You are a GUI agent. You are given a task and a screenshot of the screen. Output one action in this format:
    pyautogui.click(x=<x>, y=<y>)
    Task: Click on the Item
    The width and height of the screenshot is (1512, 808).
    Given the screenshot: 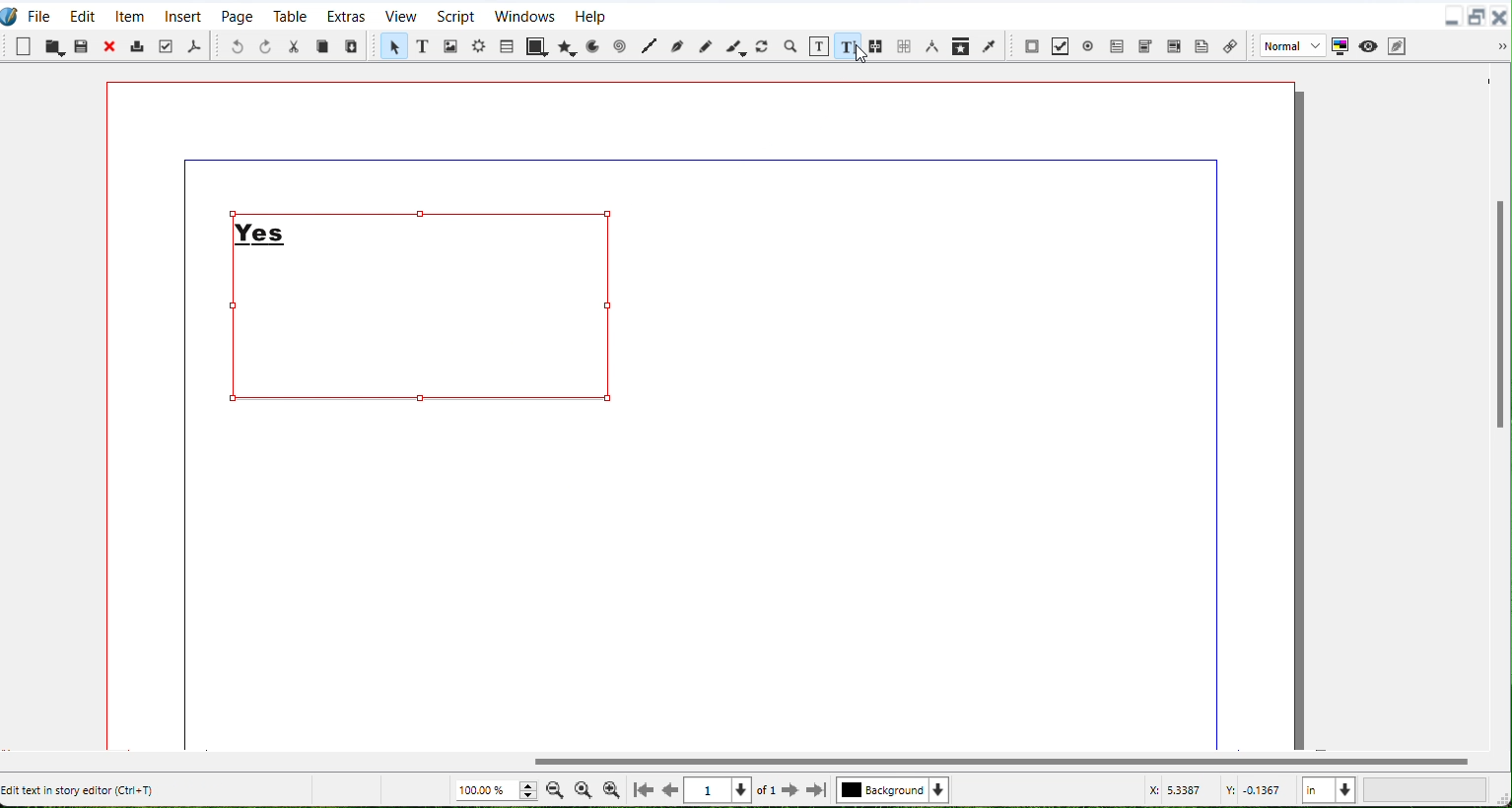 What is the action you would take?
    pyautogui.click(x=130, y=14)
    